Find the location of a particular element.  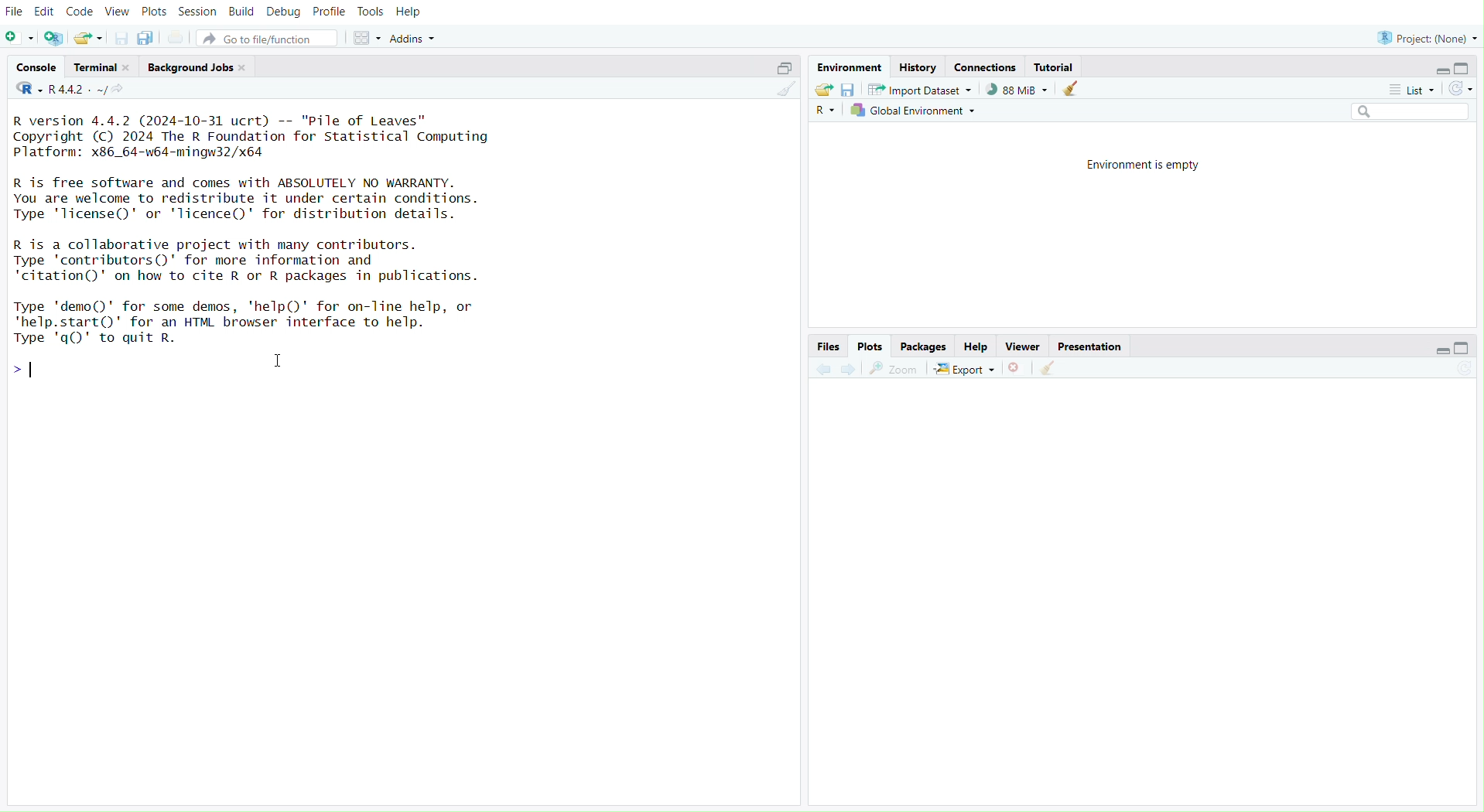

Minimize is located at coordinates (1438, 350).